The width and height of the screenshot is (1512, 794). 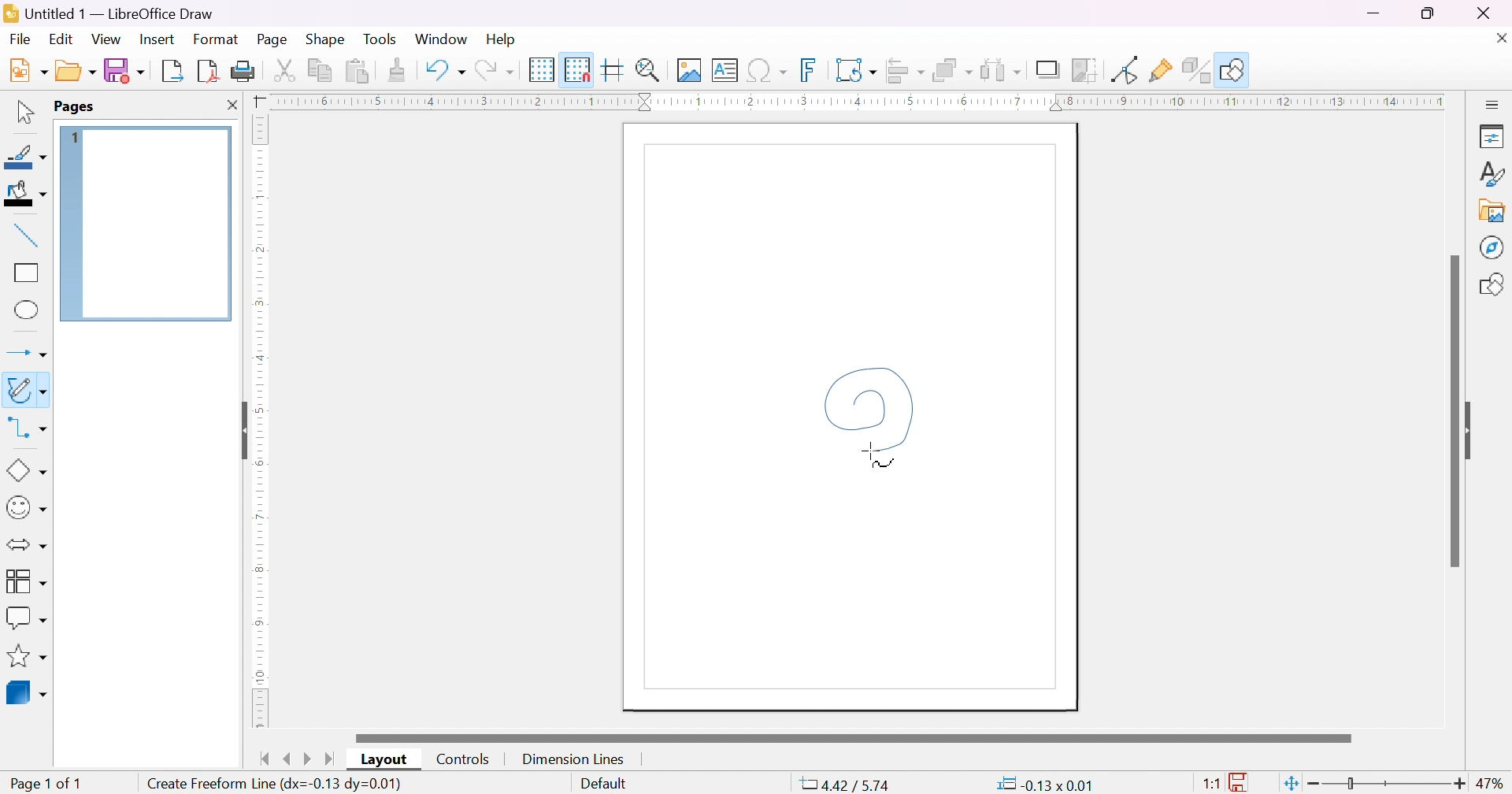 What do you see at coordinates (855, 101) in the screenshot?
I see `ruler` at bounding box center [855, 101].